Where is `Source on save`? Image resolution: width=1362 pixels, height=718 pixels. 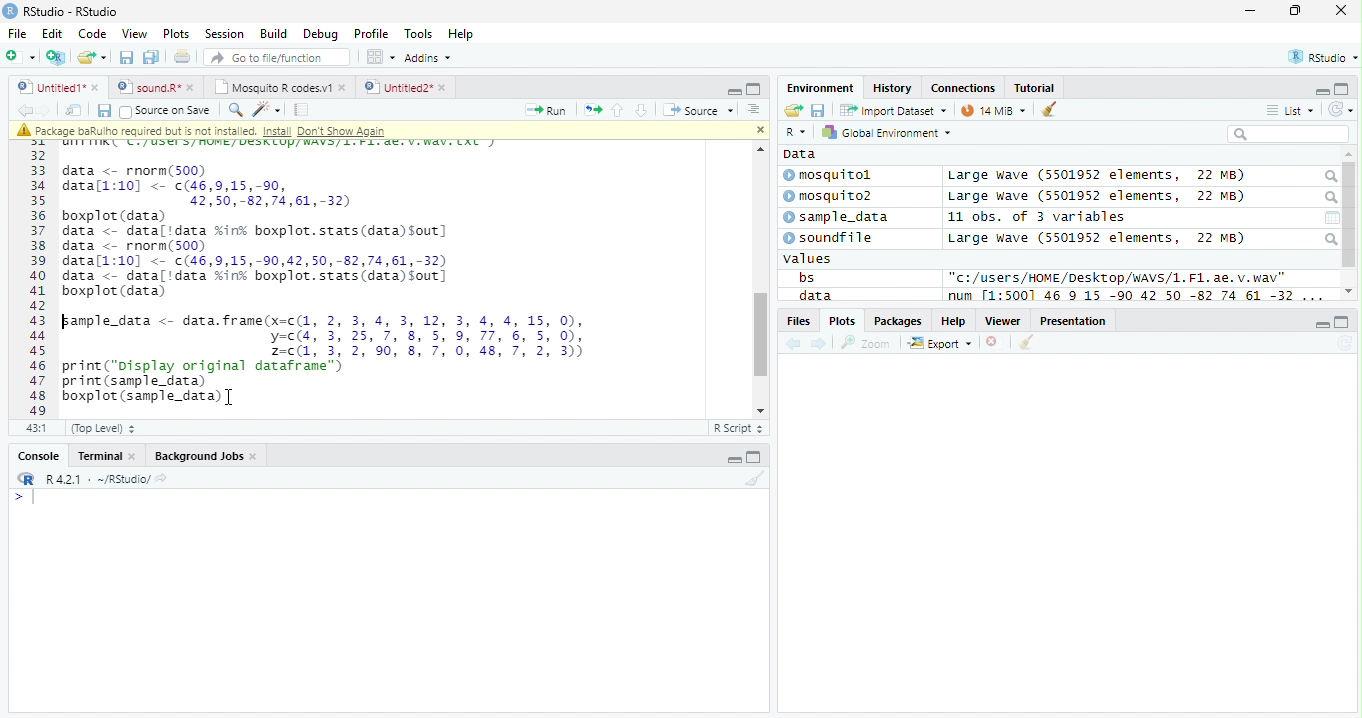
Source on save is located at coordinates (165, 112).